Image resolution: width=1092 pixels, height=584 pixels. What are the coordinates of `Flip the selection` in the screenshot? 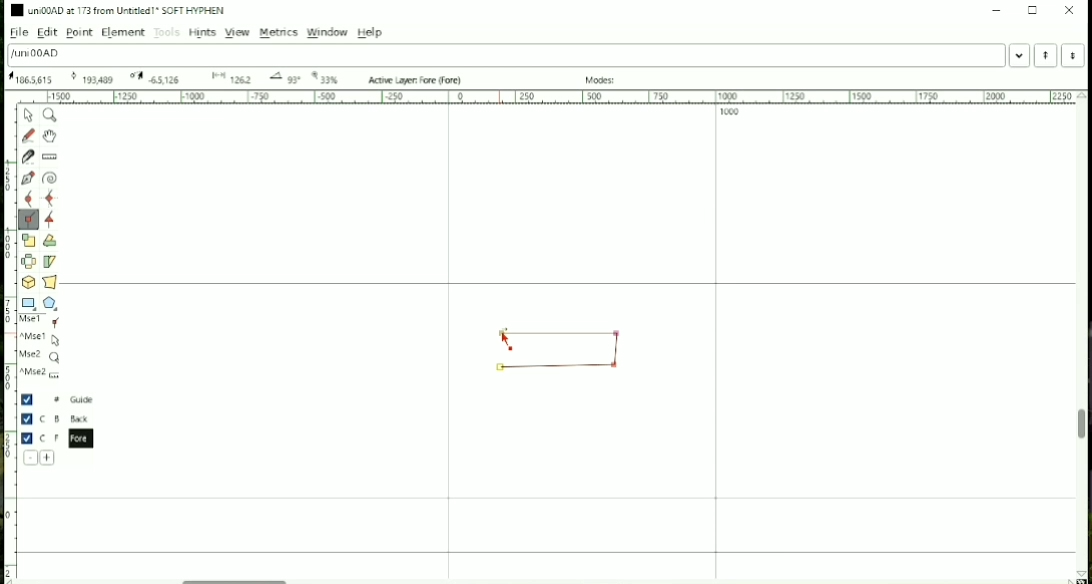 It's located at (29, 261).